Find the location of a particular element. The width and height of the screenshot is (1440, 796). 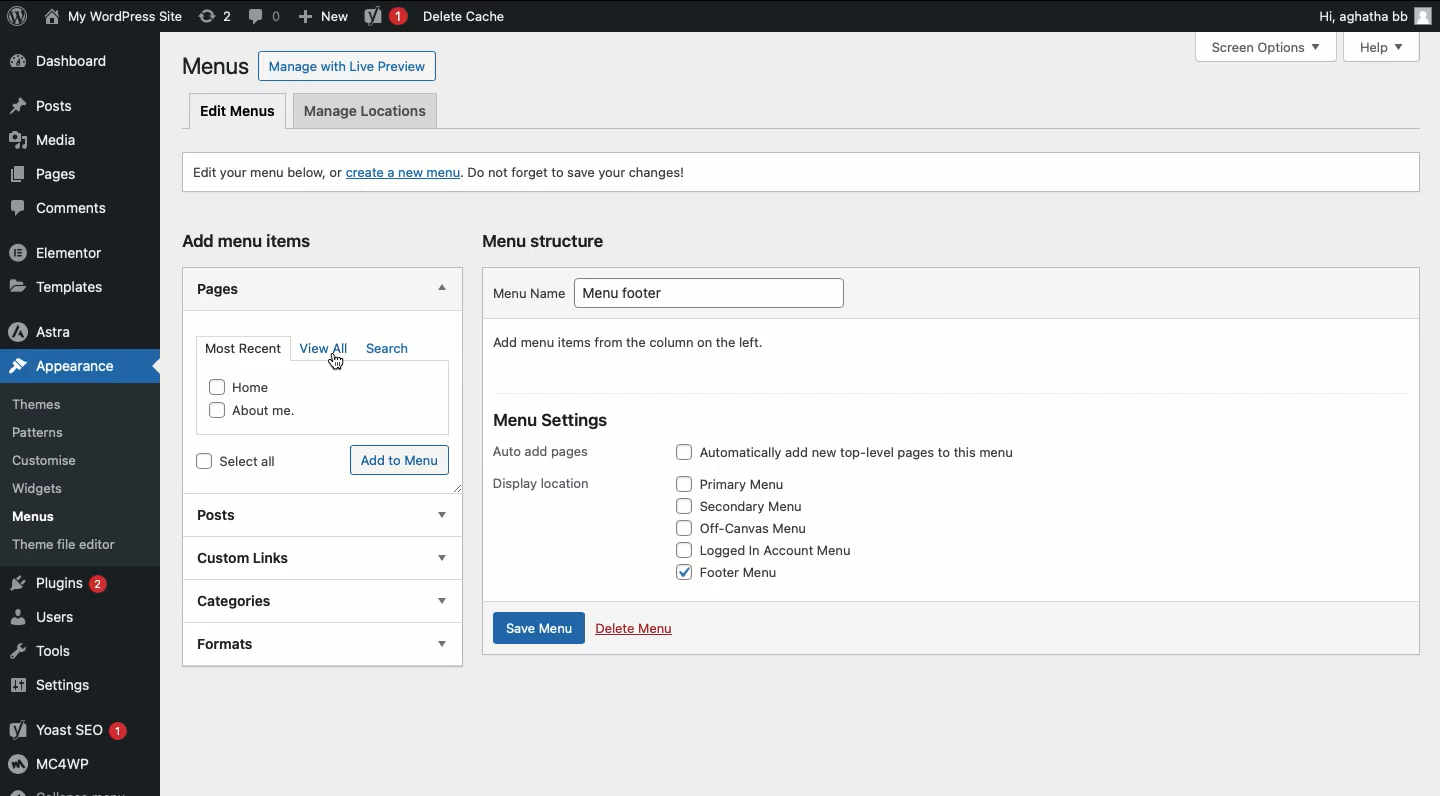

Check box is located at coordinates (679, 528).